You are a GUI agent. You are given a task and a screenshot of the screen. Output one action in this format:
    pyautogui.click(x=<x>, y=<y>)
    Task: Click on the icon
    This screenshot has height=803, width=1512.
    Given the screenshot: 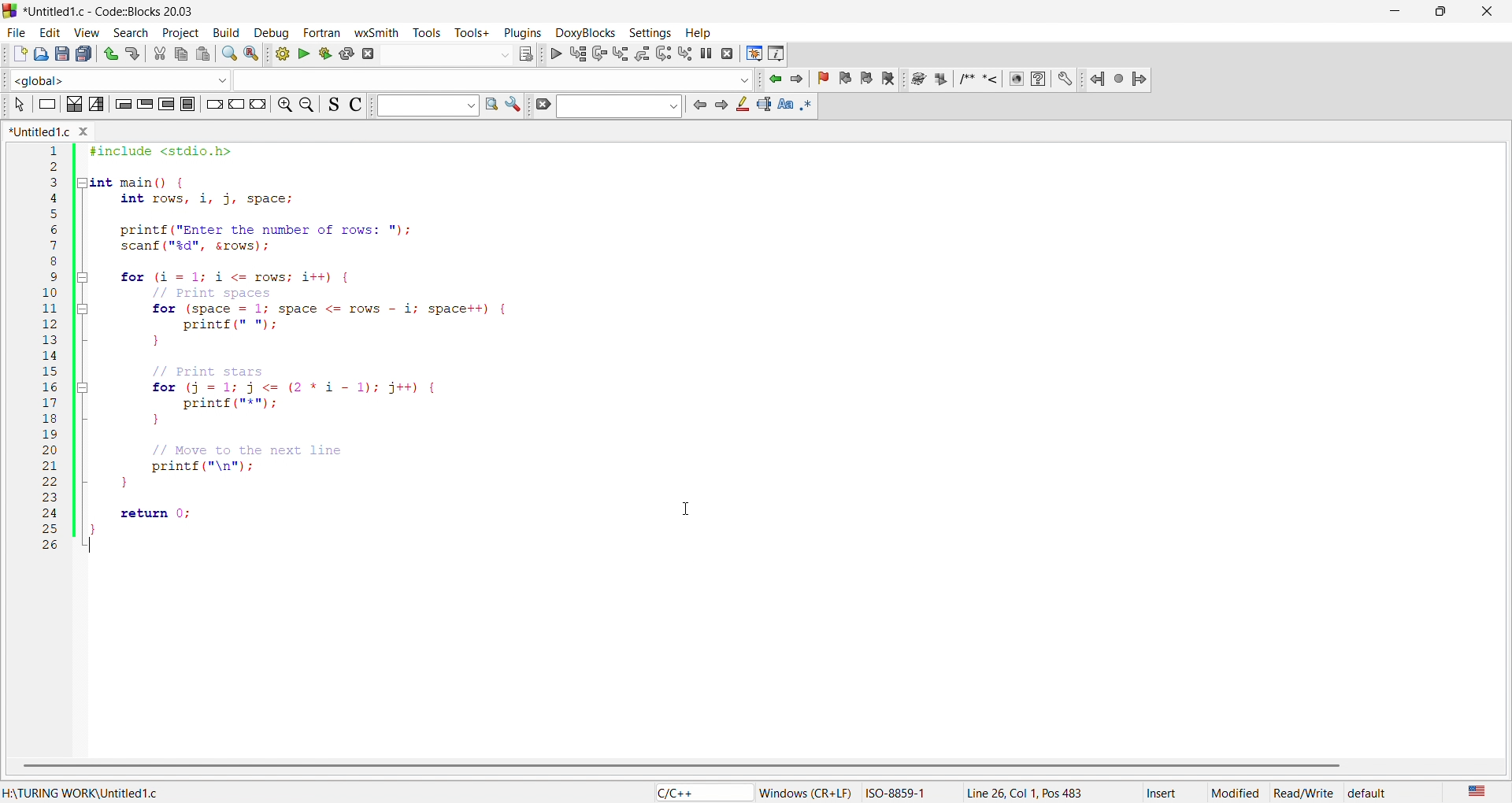 What is the action you would take?
    pyautogui.click(x=98, y=106)
    